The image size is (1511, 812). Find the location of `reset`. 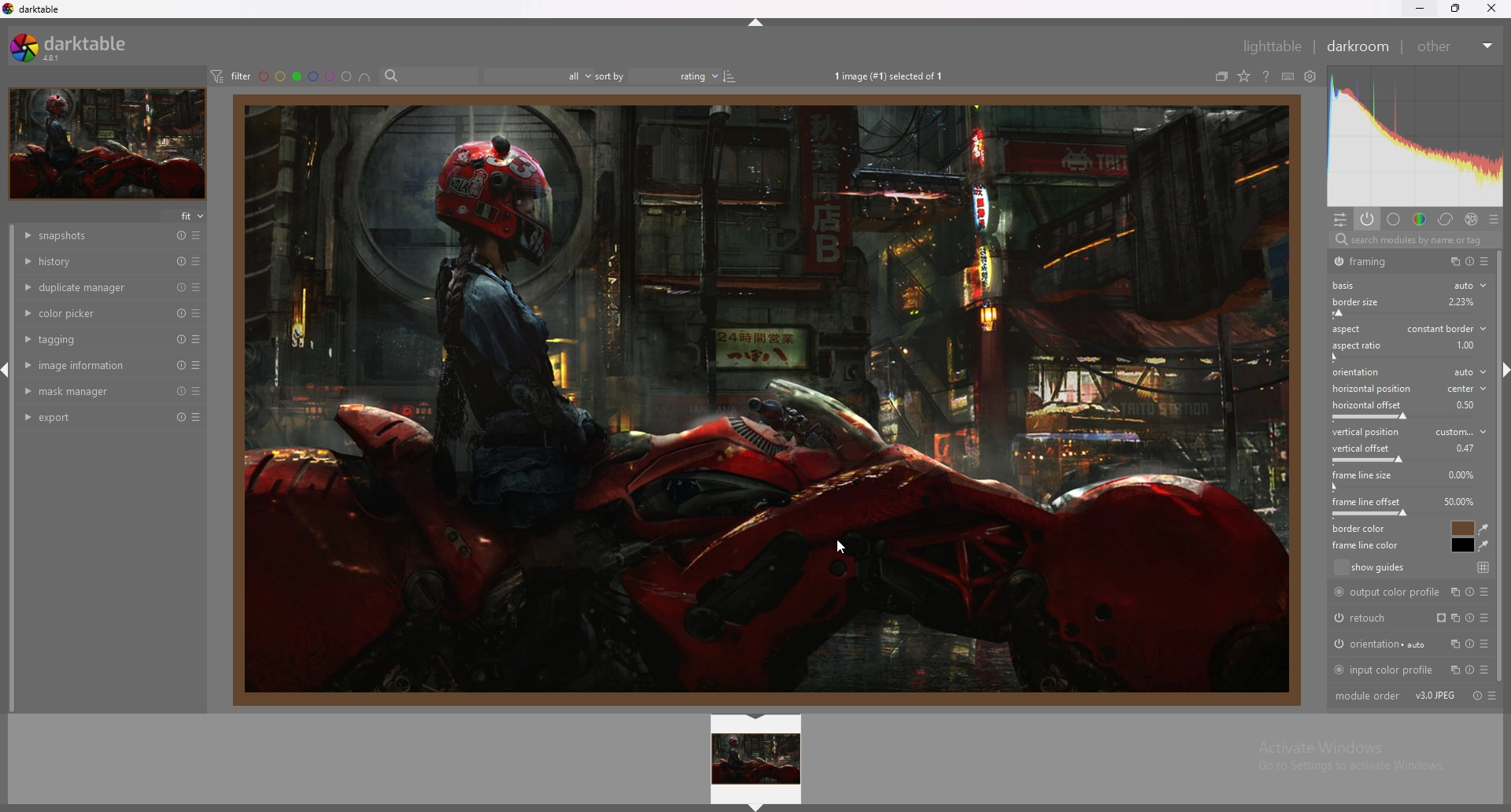

reset is located at coordinates (182, 314).